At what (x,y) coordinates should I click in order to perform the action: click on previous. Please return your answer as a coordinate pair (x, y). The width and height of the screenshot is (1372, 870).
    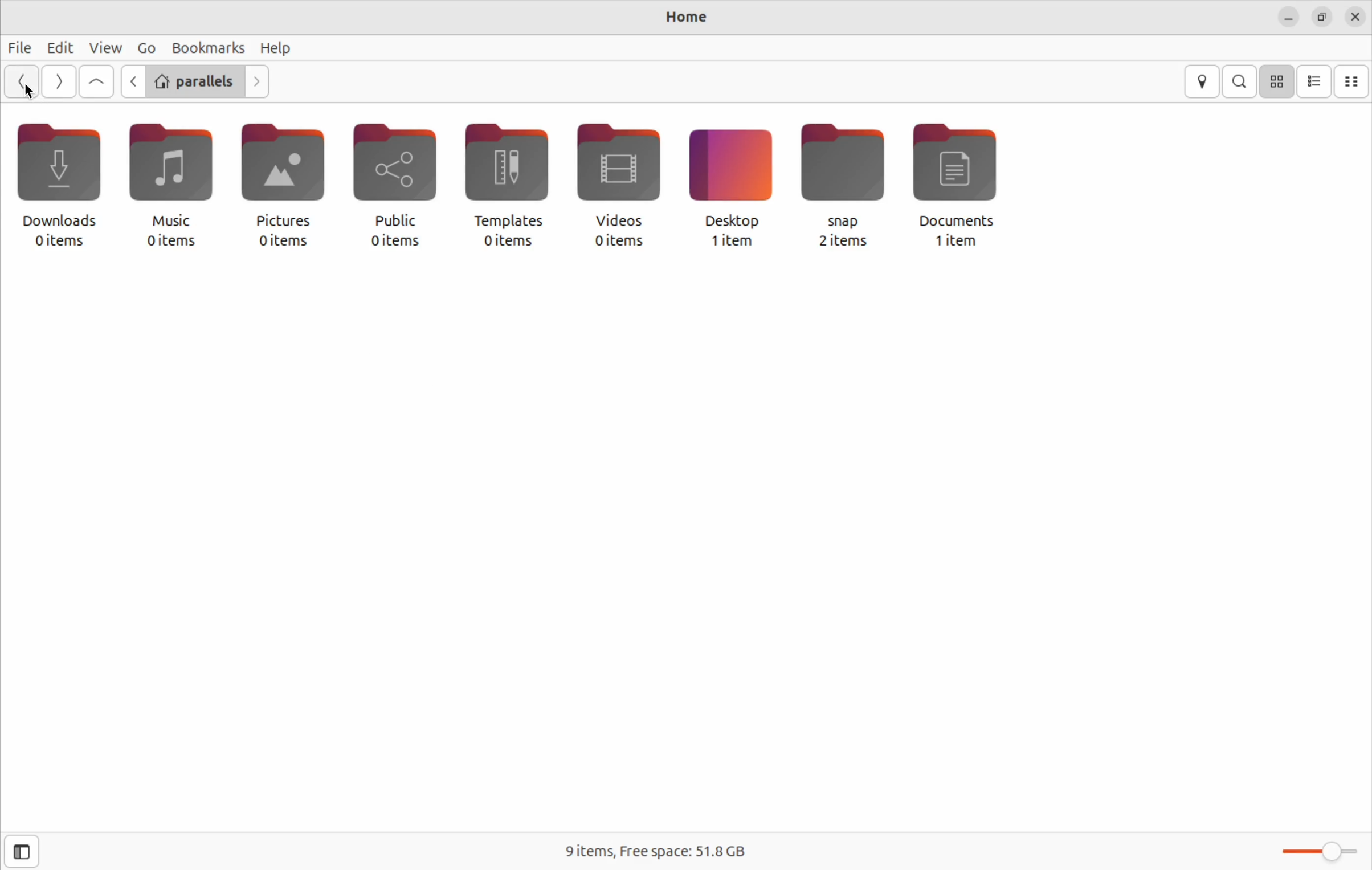
    Looking at the image, I should click on (132, 81).